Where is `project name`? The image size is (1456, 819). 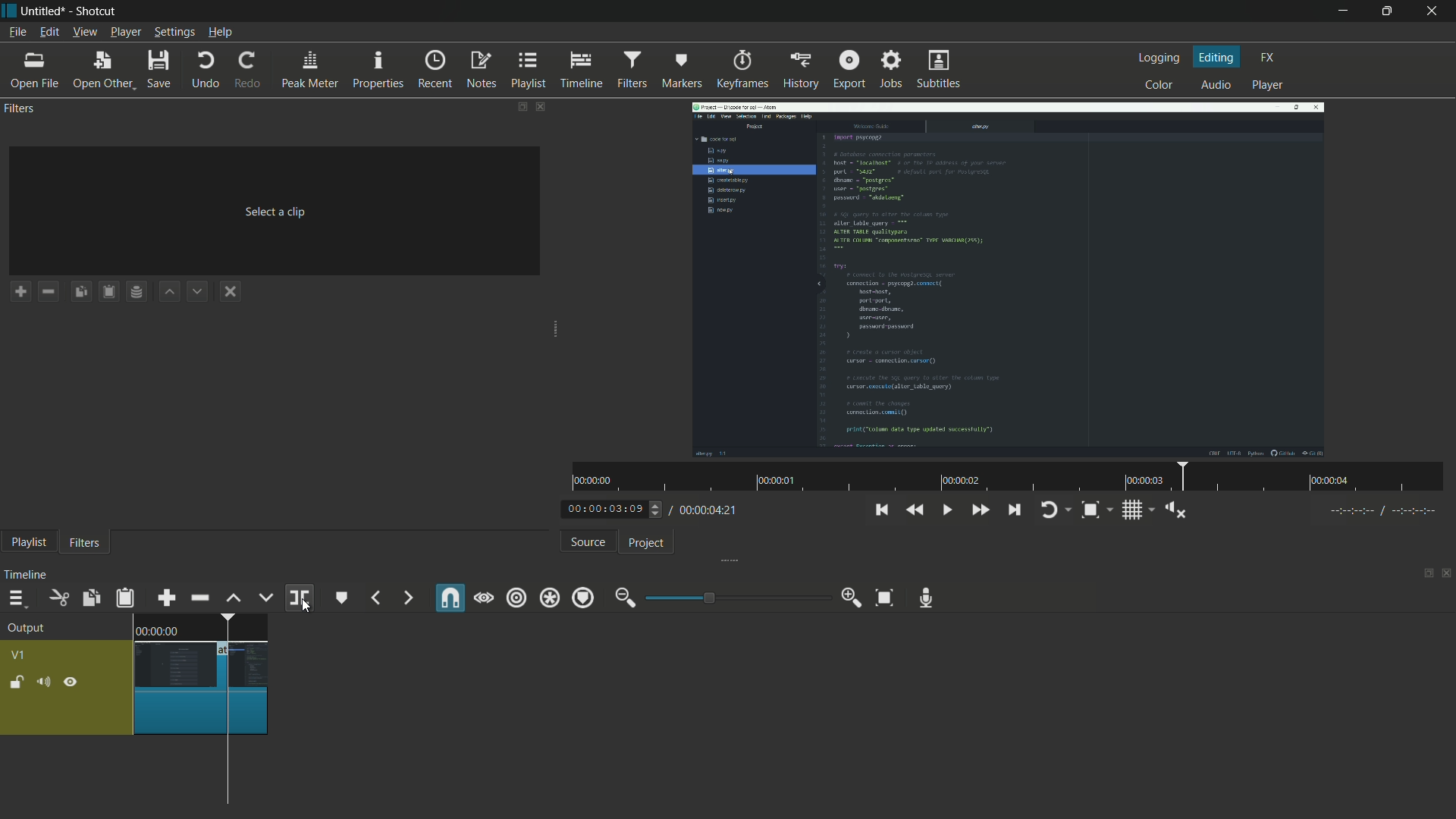
project name is located at coordinates (42, 11).